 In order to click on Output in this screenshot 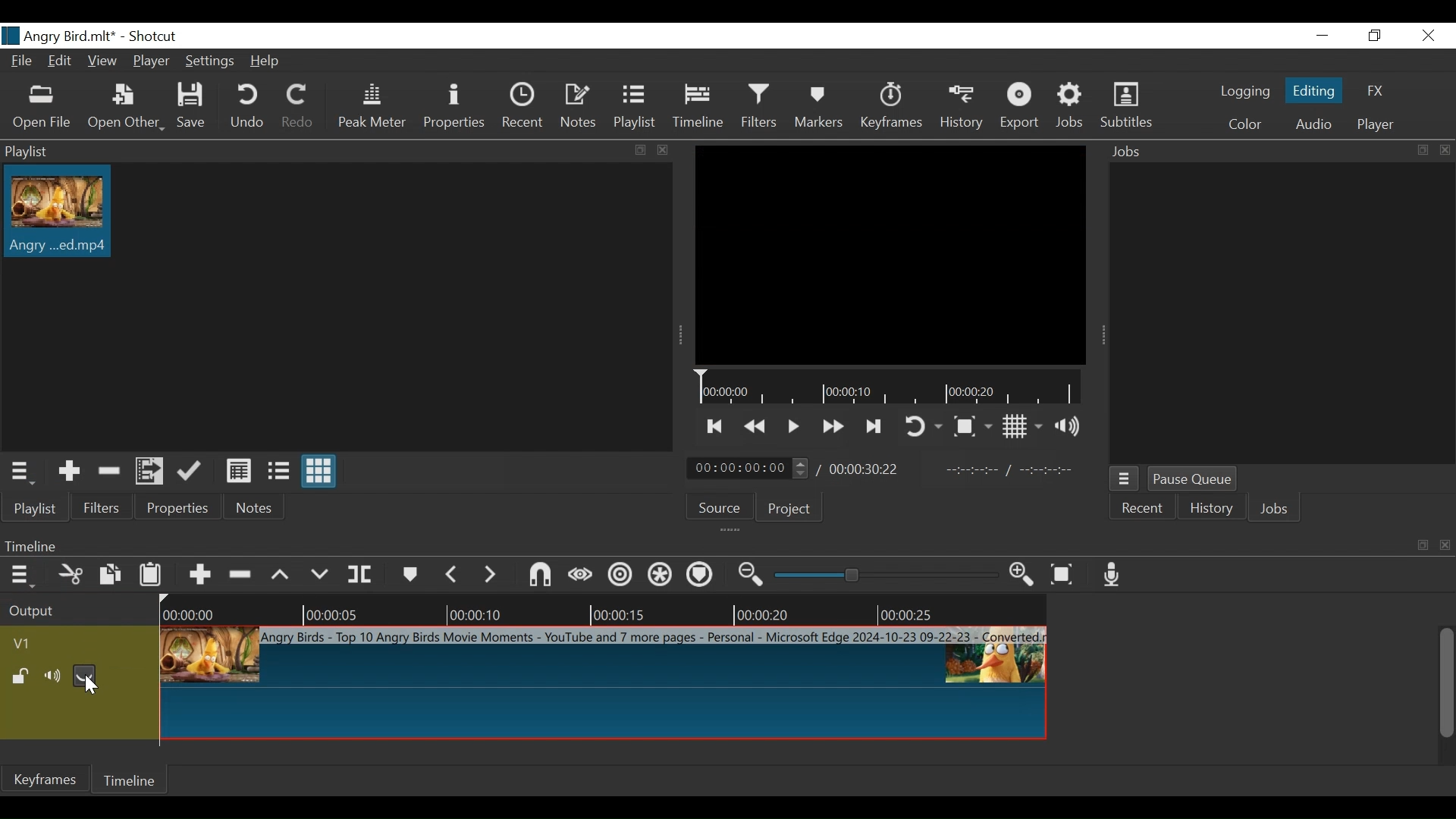, I will do `click(30, 611)`.